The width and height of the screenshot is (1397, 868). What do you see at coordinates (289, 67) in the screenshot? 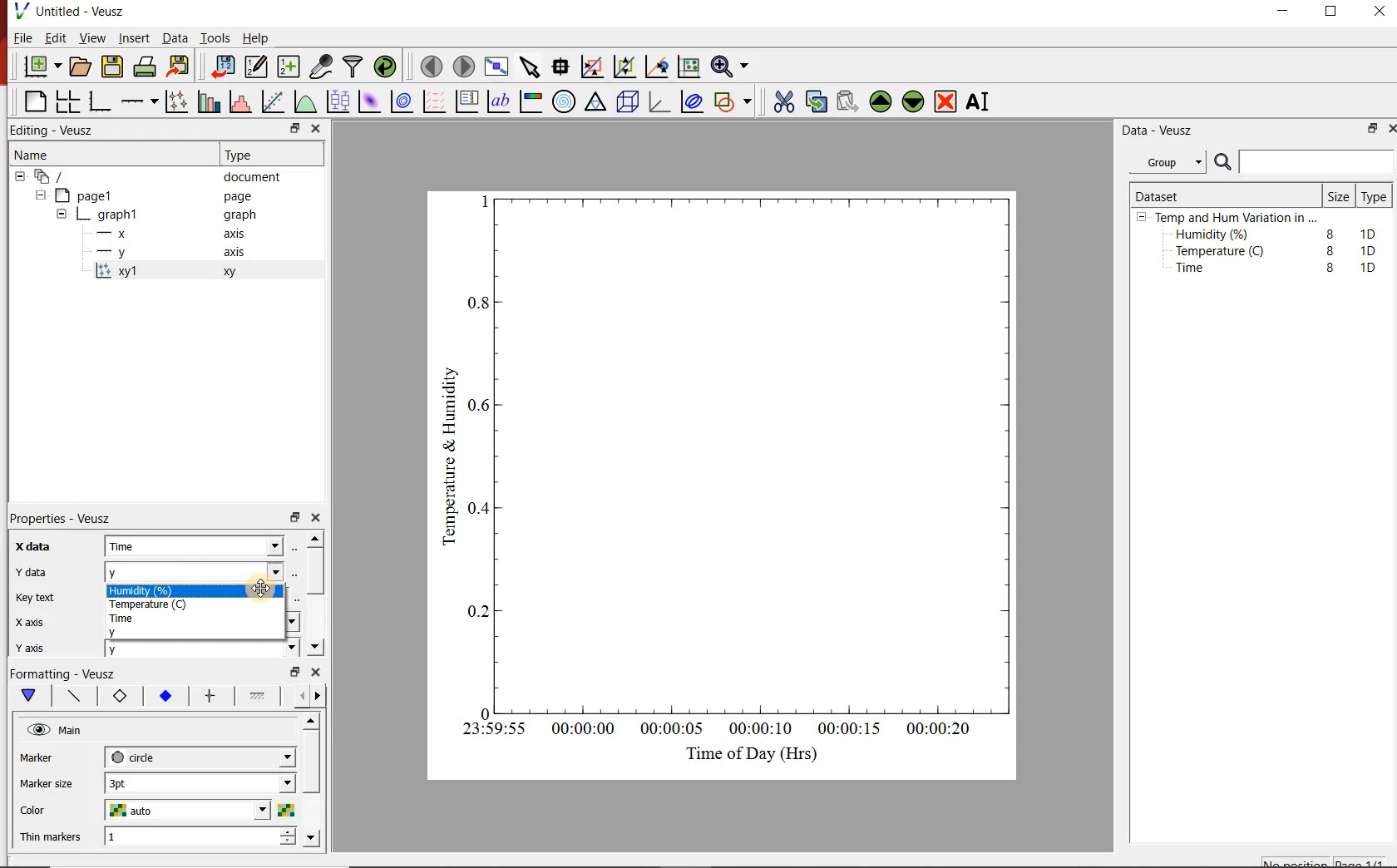
I see `create new datasets using ranges, parametrically or as functions of existing datasets` at bounding box center [289, 67].